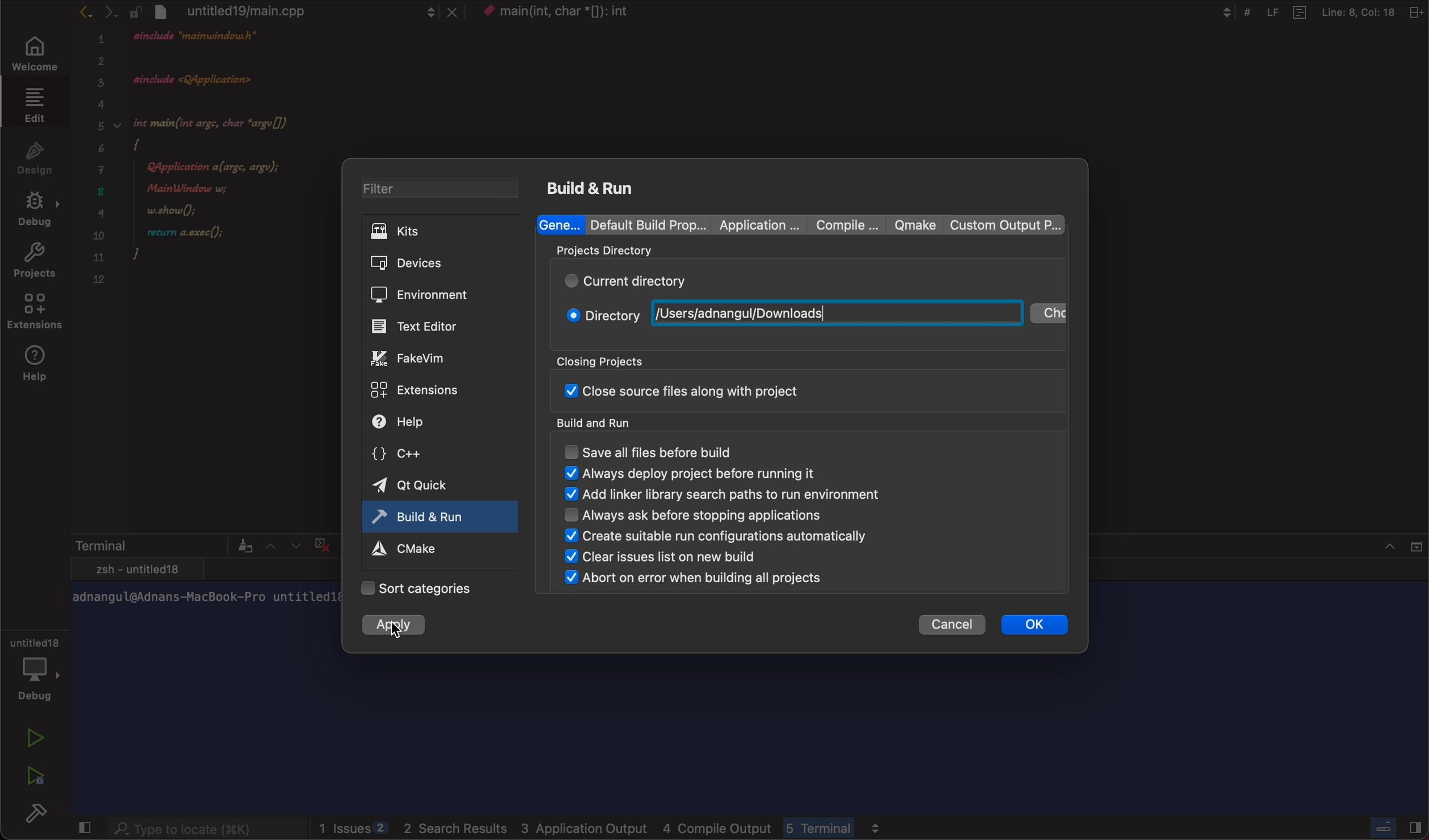 The height and width of the screenshot is (840, 1429). I want to click on help, so click(409, 422).